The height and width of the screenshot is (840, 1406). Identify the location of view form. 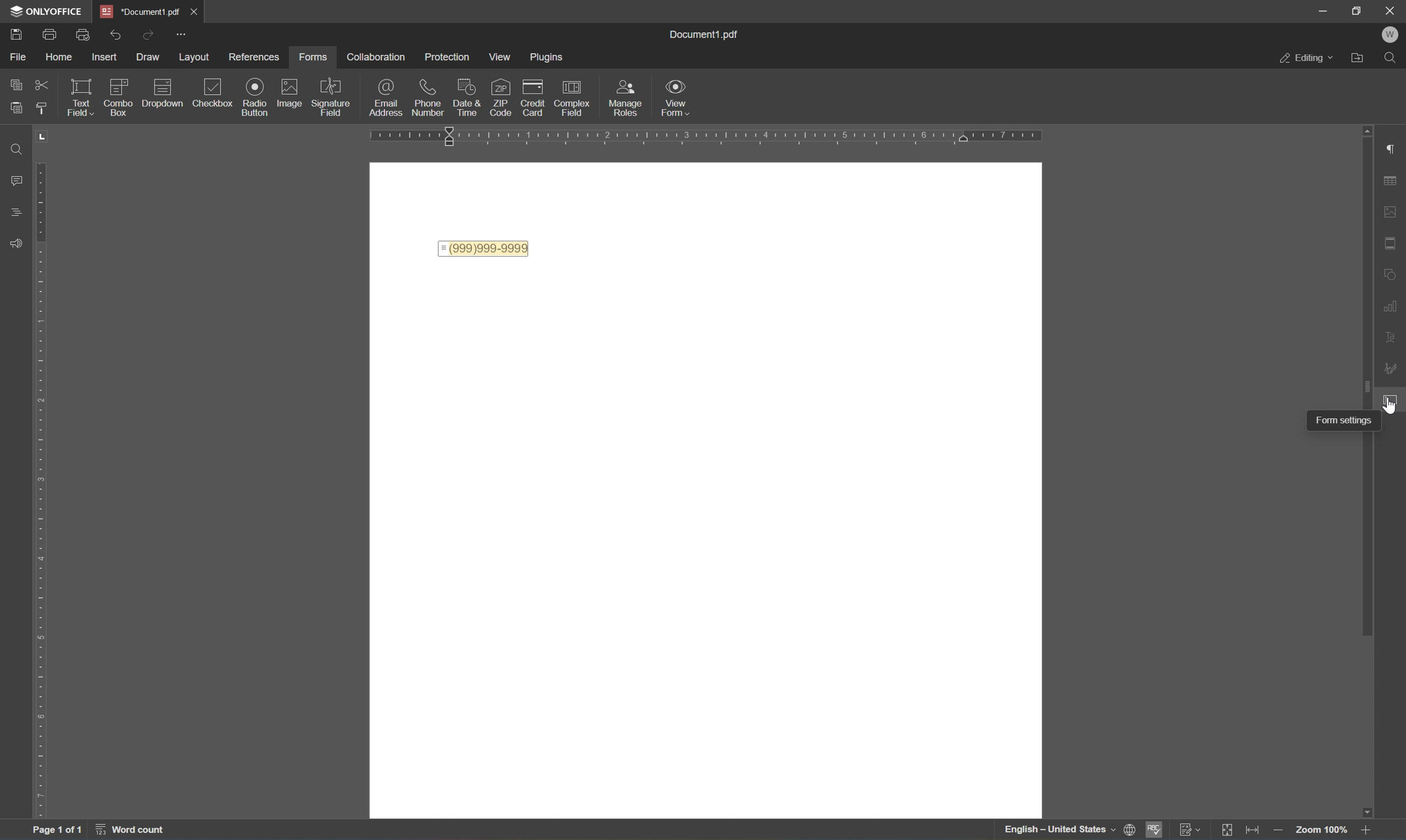
(676, 96).